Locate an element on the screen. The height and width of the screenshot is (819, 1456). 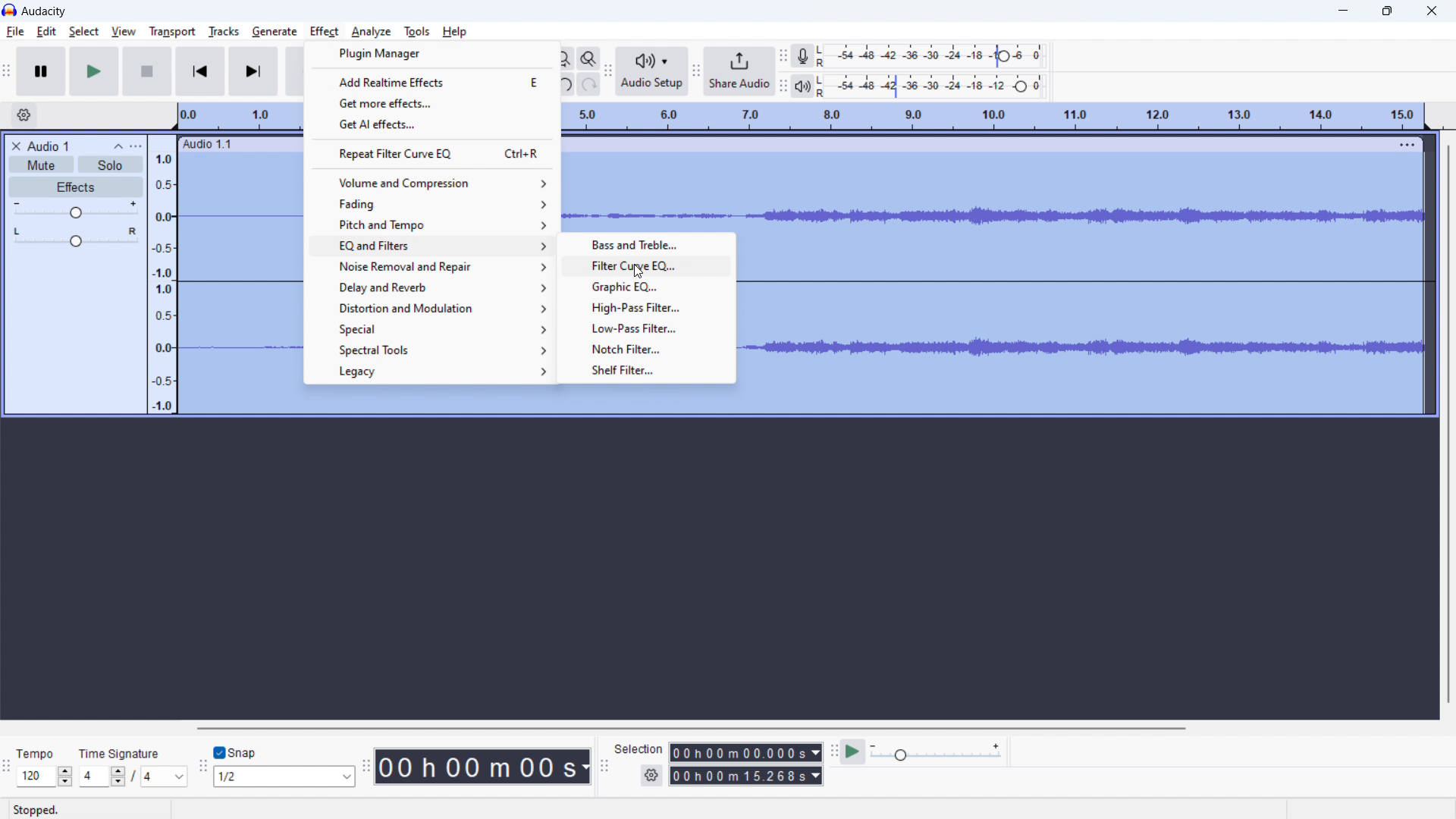
audio setup toolbar is located at coordinates (611, 74).